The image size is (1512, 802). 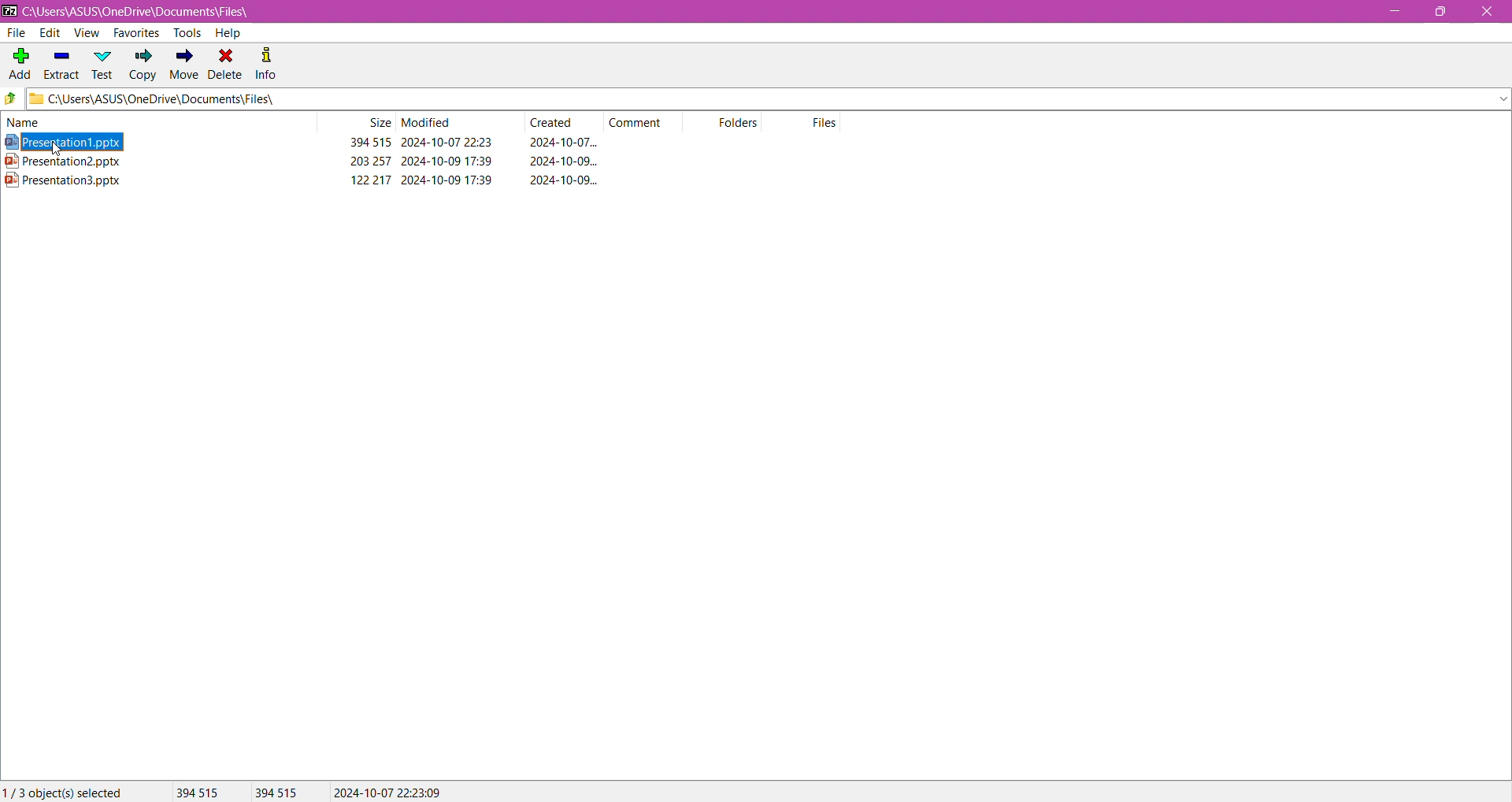 I want to click on cursor, so click(x=57, y=152).